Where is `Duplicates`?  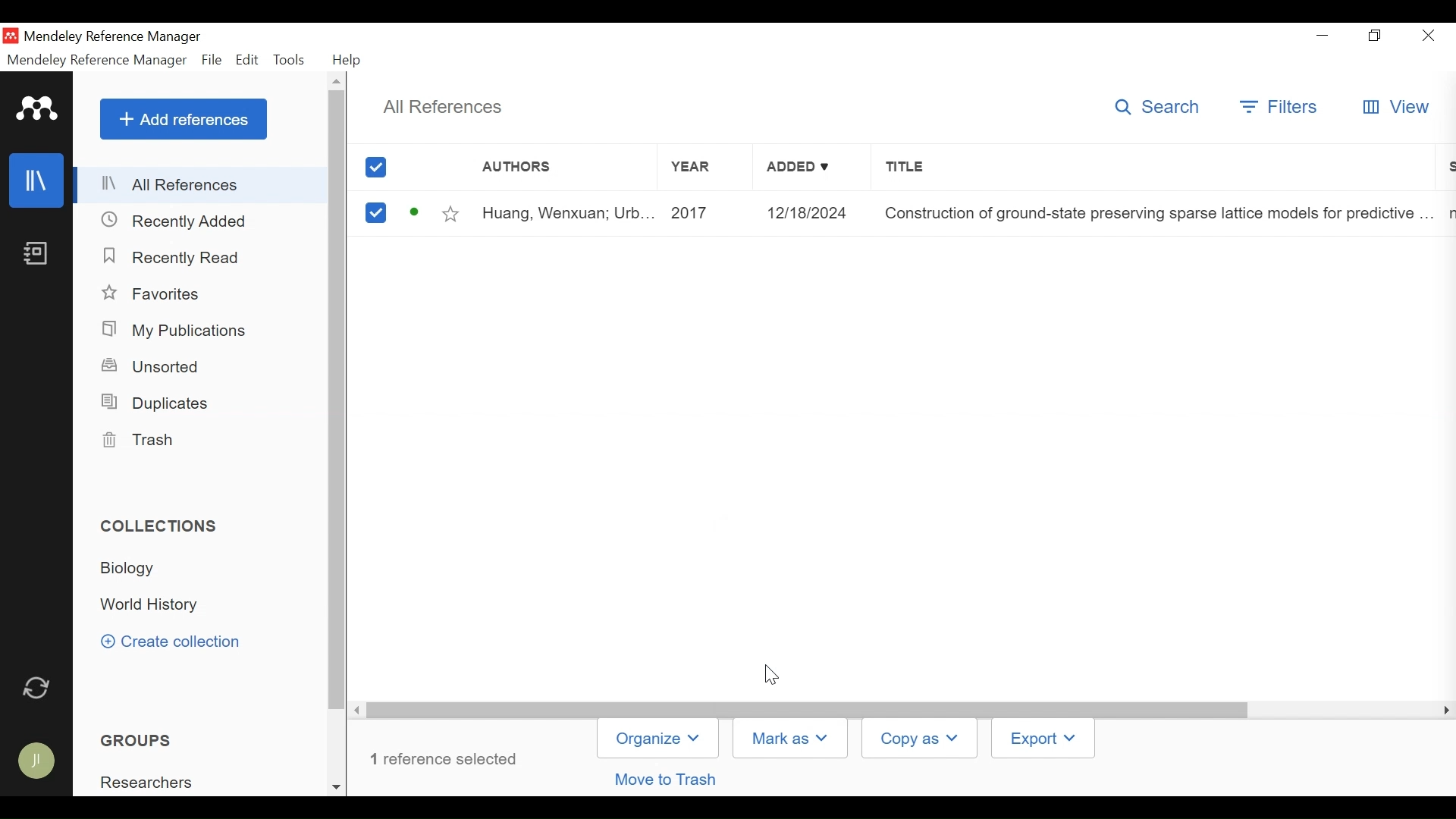
Duplicates is located at coordinates (157, 403).